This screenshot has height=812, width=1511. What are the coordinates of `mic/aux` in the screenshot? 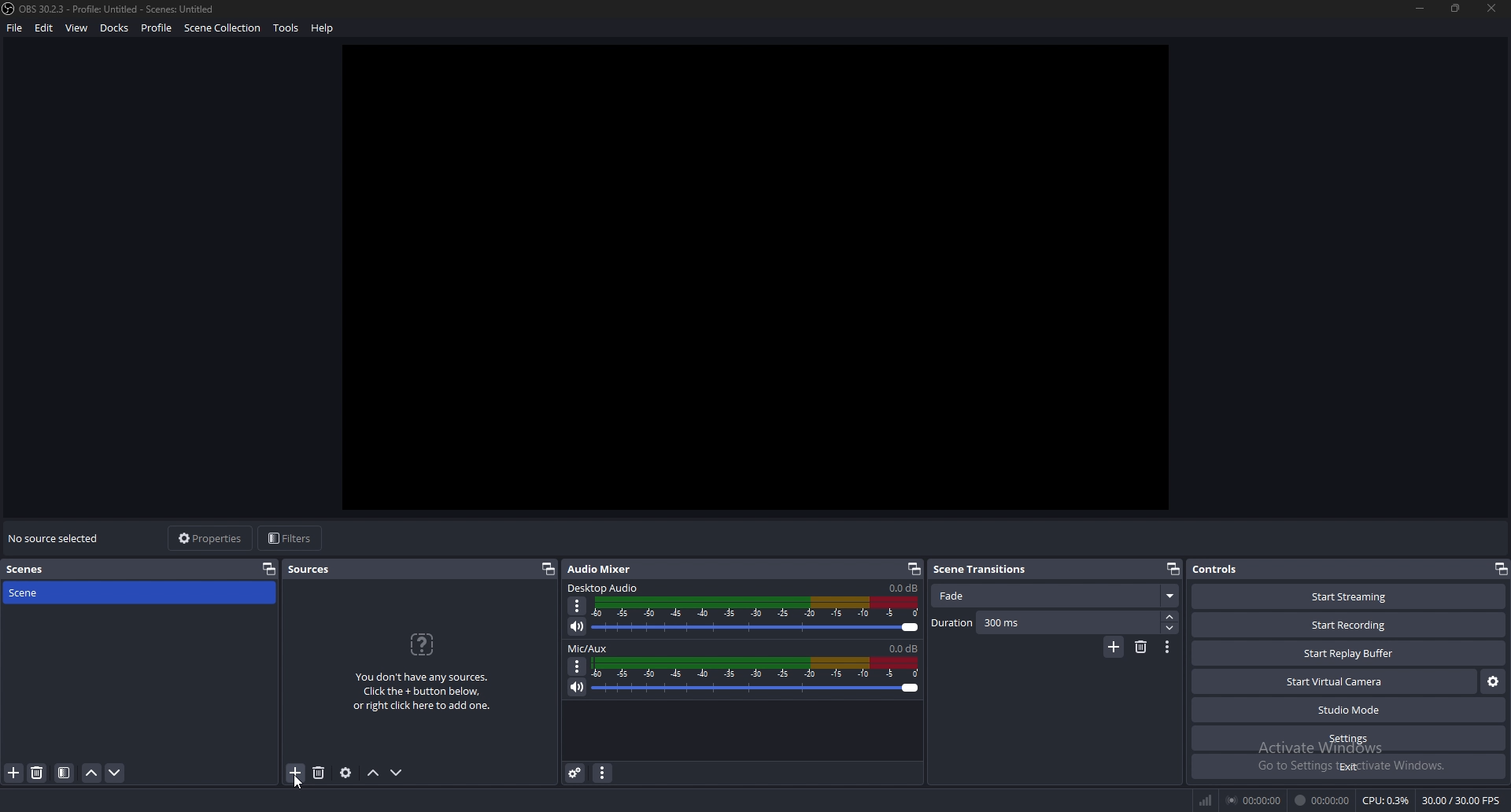 It's located at (592, 648).